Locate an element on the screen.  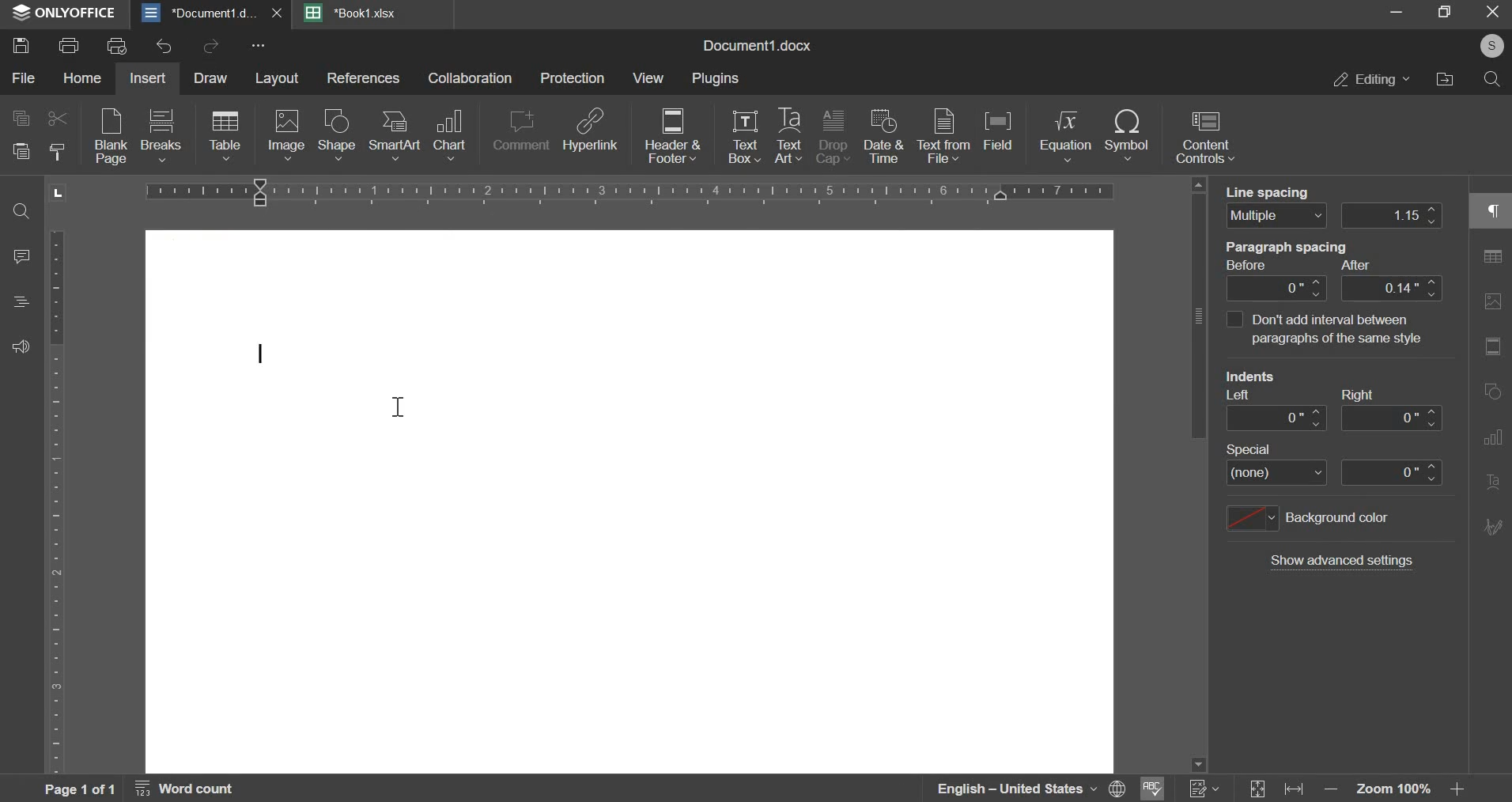
draw is located at coordinates (210, 79).